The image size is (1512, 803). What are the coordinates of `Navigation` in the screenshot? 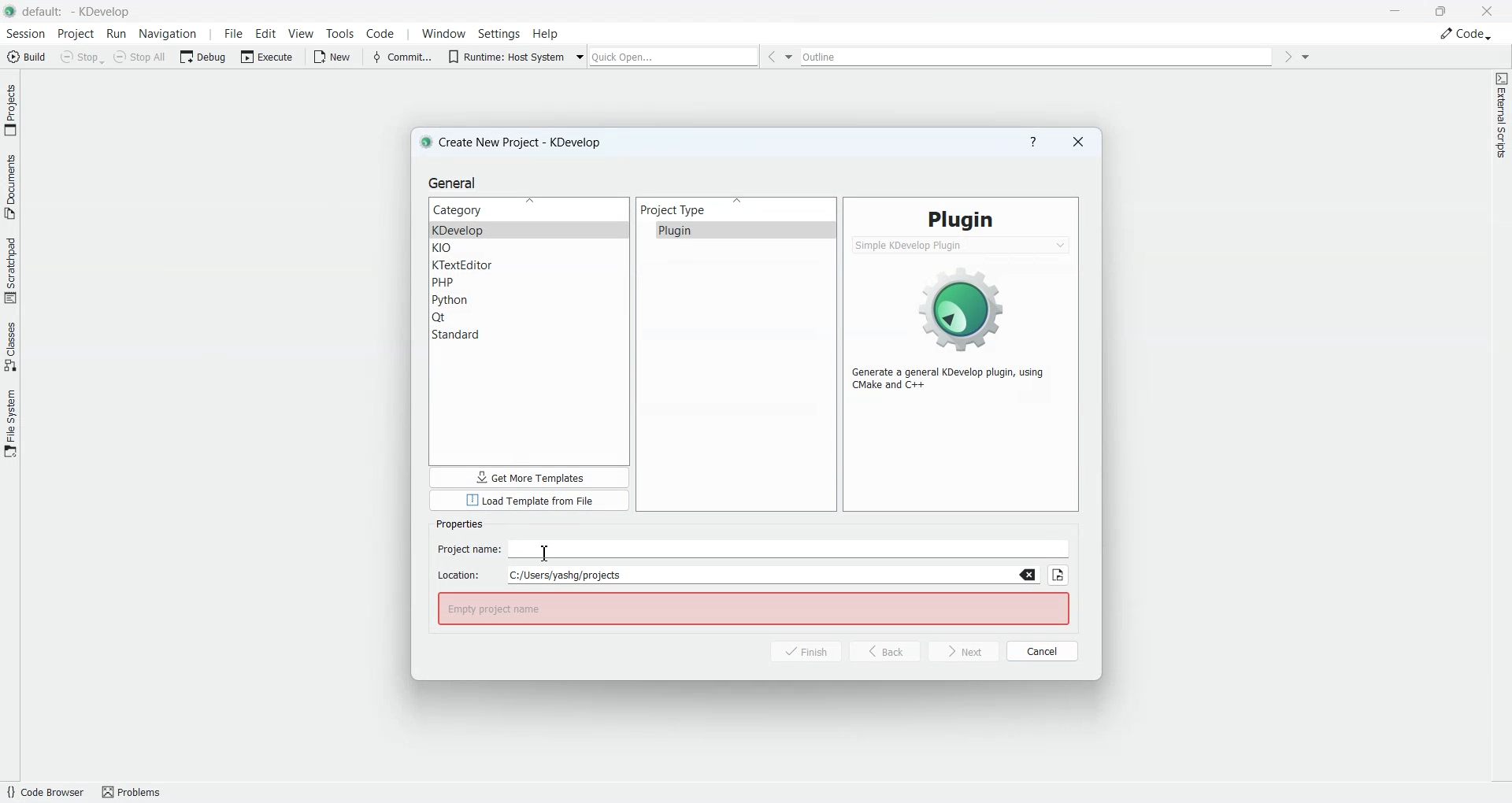 It's located at (170, 34).